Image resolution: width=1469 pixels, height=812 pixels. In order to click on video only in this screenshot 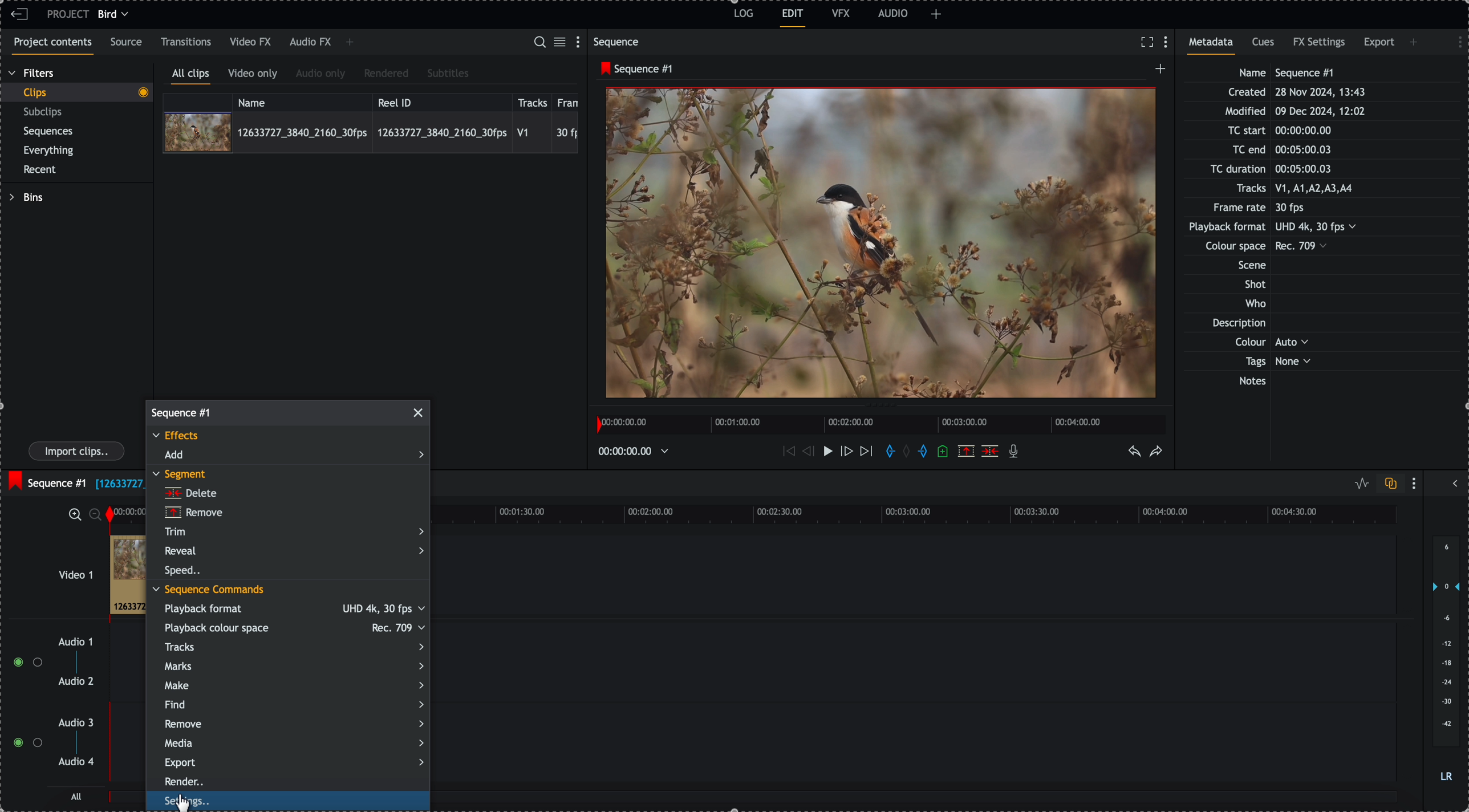, I will do `click(255, 75)`.